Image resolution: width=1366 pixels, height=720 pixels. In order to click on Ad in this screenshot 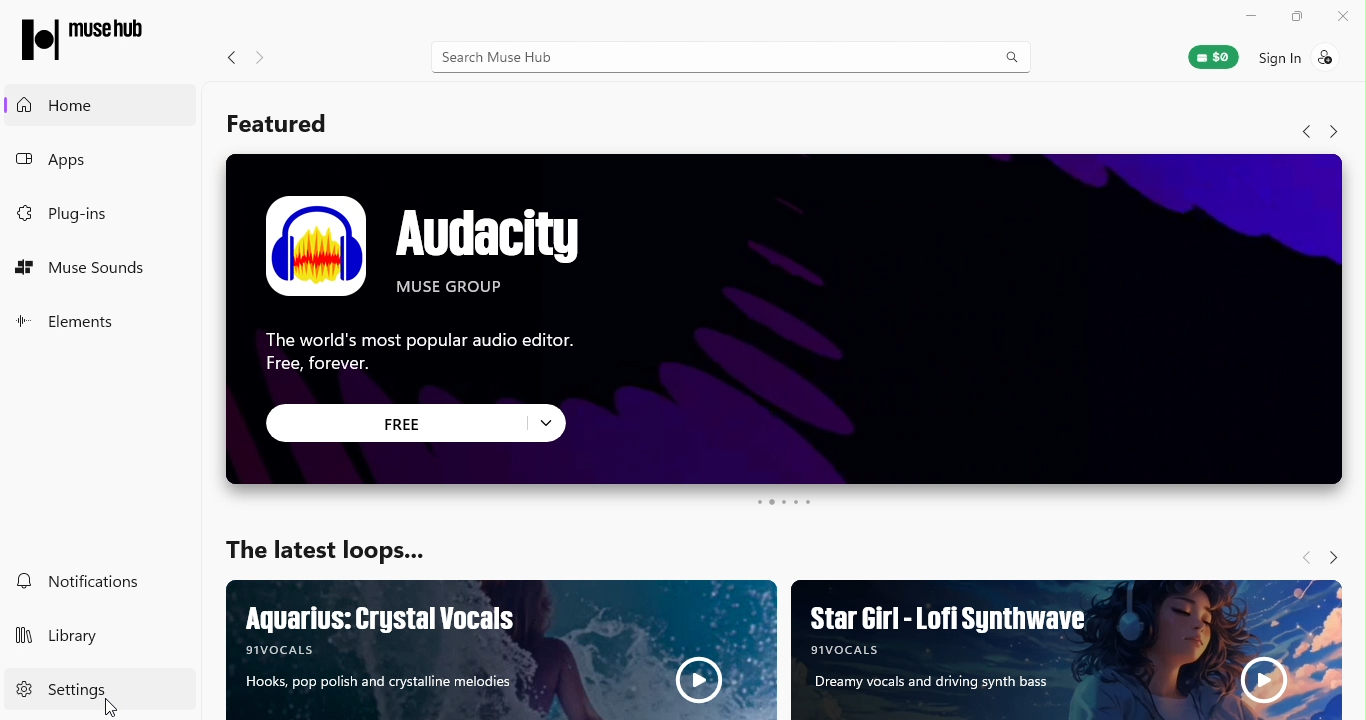, I will do `click(1067, 651)`.